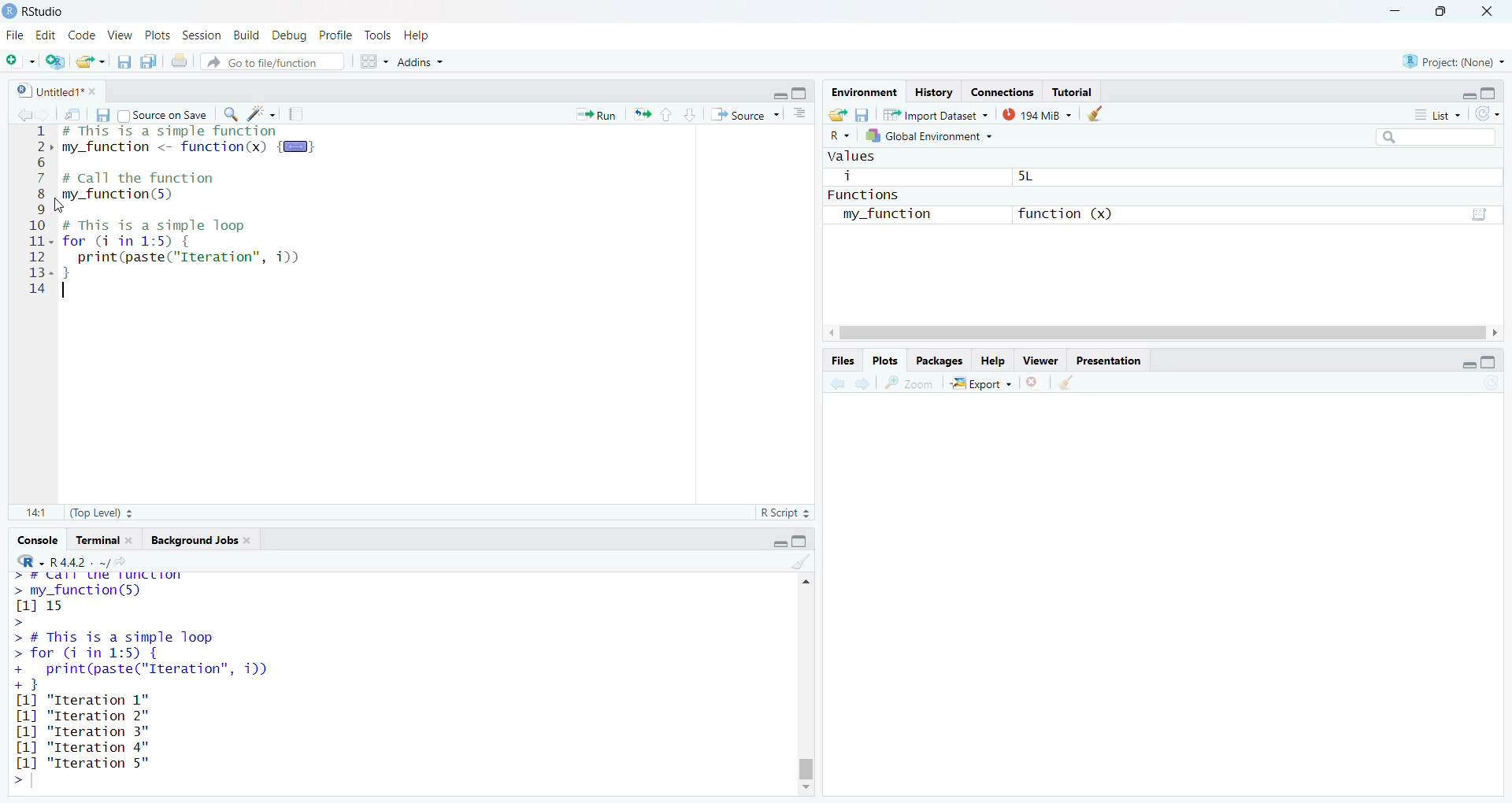 The height and width of the screenshot is (803, 1512). What do you see at coordinates (1492, 9) in the screenshot?
I see `close` at bounding box center [1492, 9].